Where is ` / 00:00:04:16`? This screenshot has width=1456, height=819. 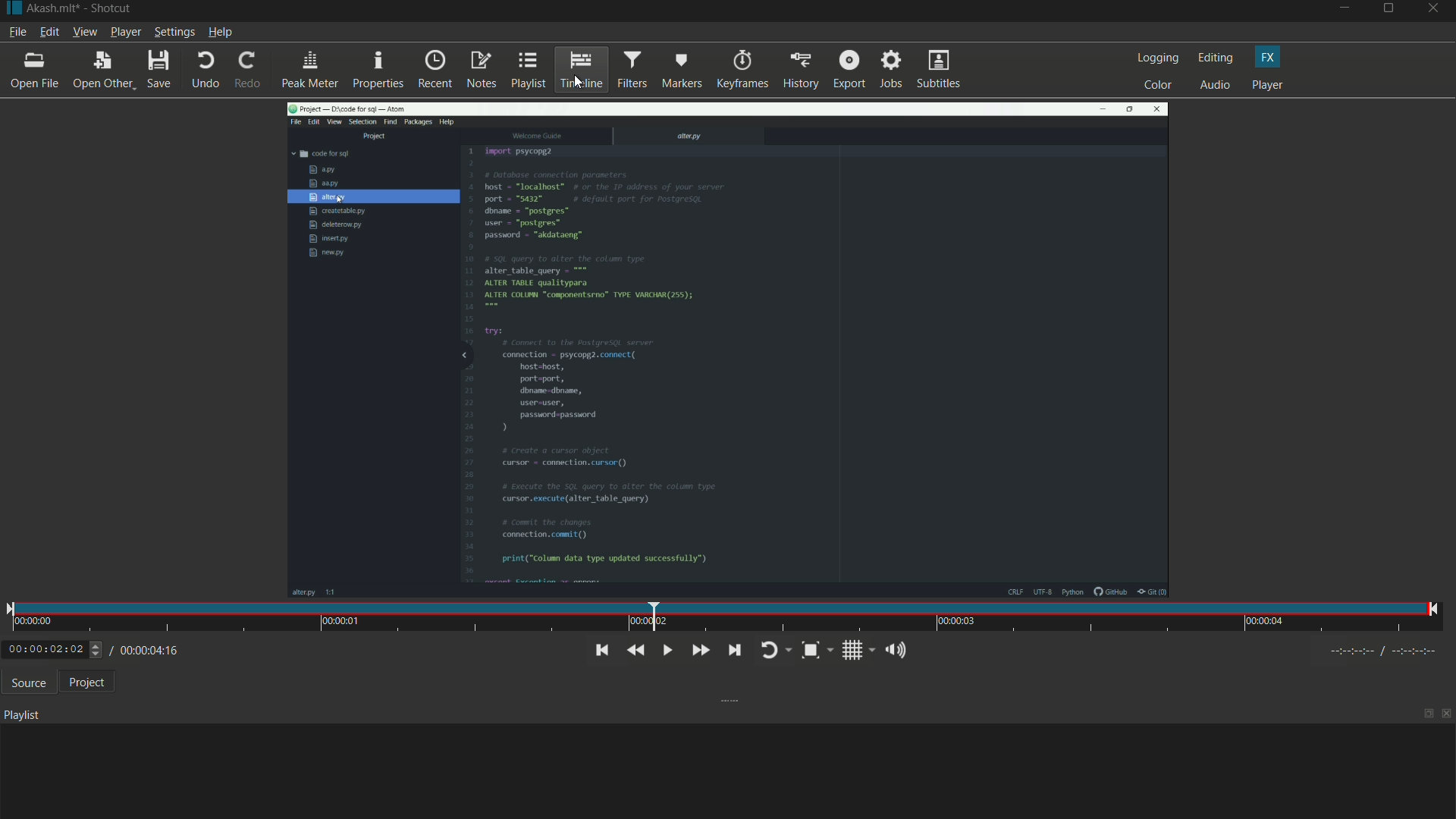
 / 00:00:04:16 is located at coordinates (152, 649).